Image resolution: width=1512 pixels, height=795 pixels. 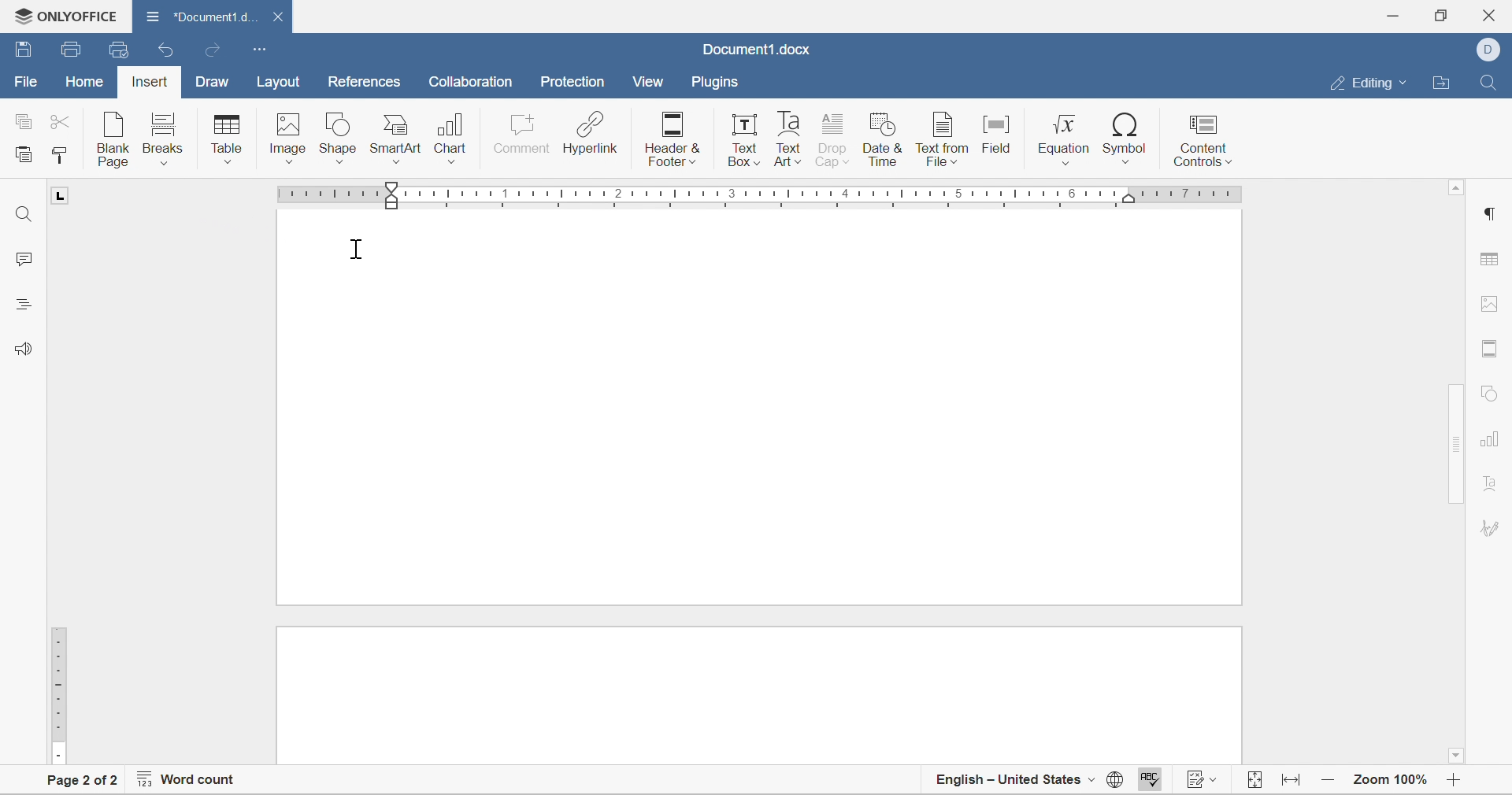 I want to click on Ruler, so click(x=57, y=694).